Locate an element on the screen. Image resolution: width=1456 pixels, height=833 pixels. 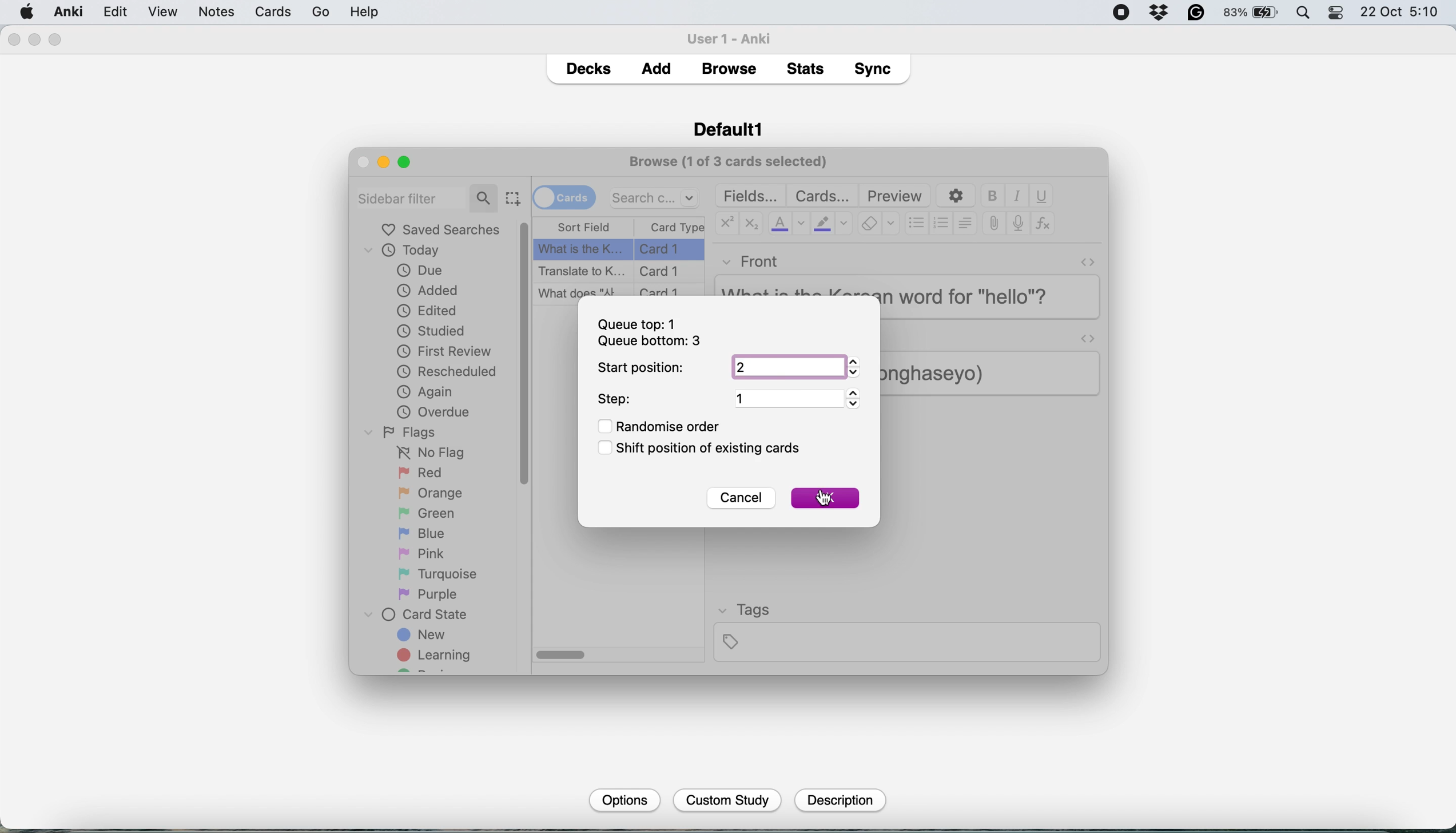
fields is located at coordinates (752, 196).